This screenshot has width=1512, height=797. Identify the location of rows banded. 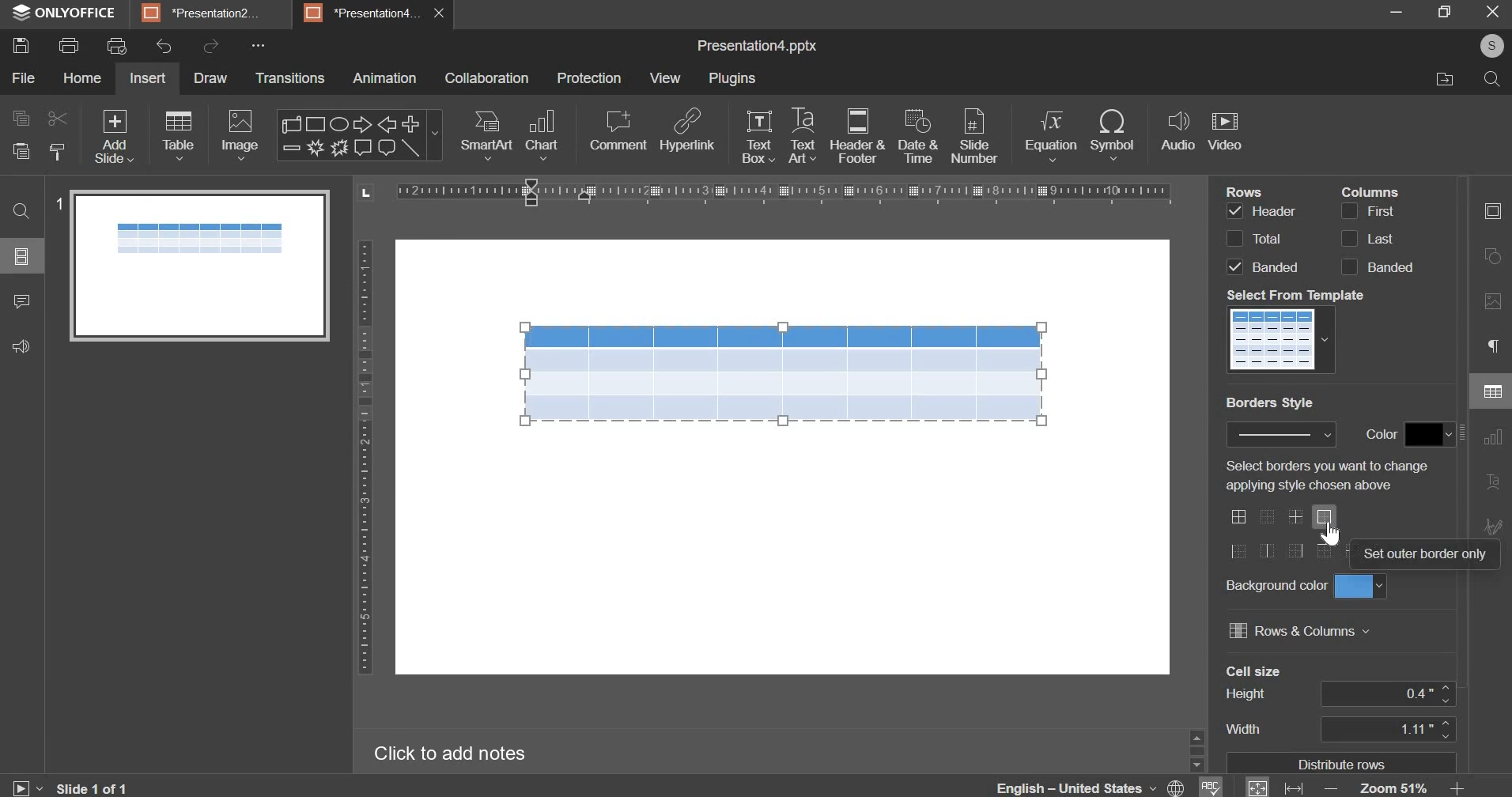
(1237, 267).